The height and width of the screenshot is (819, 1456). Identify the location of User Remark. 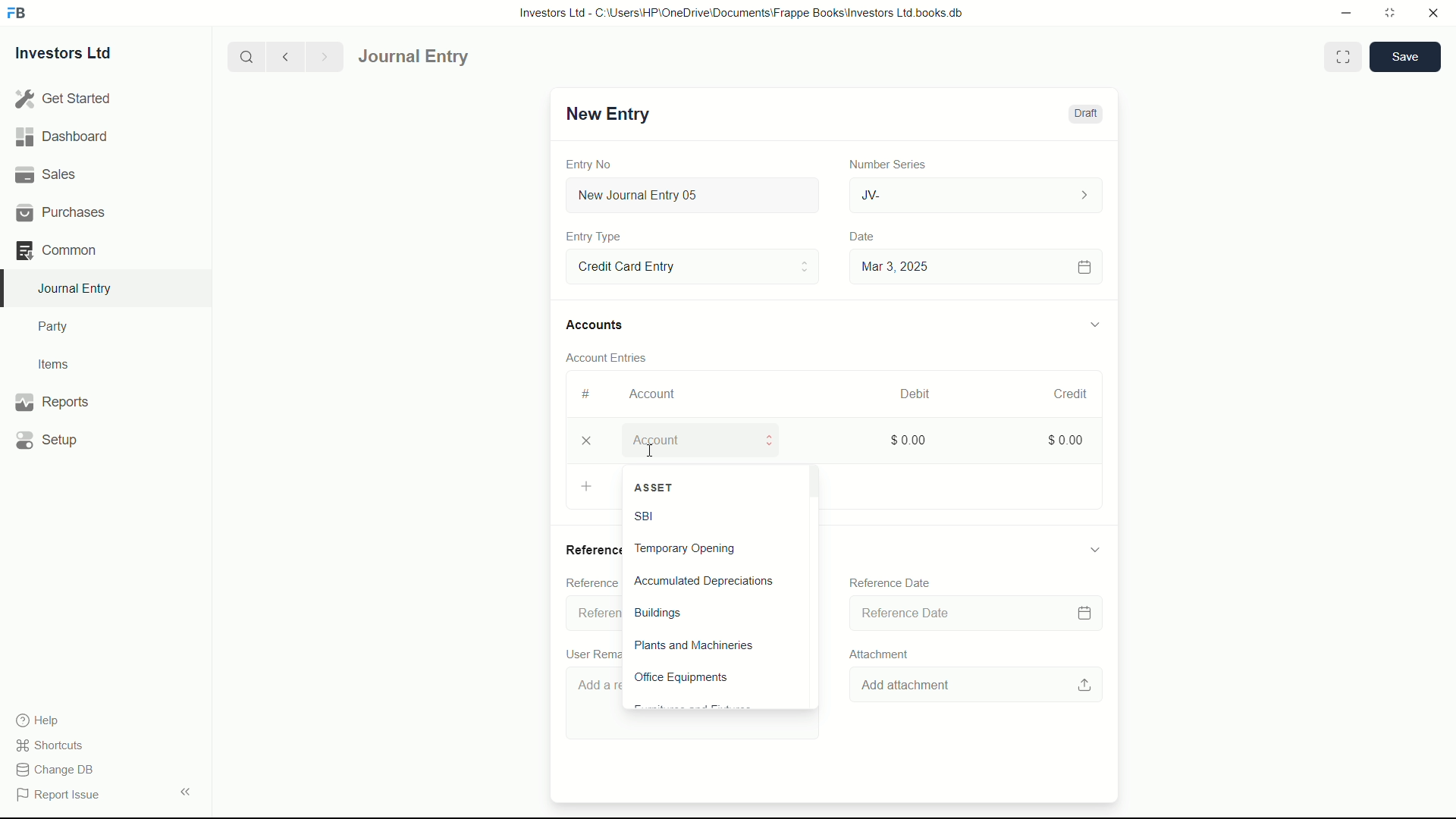
(591, 653).